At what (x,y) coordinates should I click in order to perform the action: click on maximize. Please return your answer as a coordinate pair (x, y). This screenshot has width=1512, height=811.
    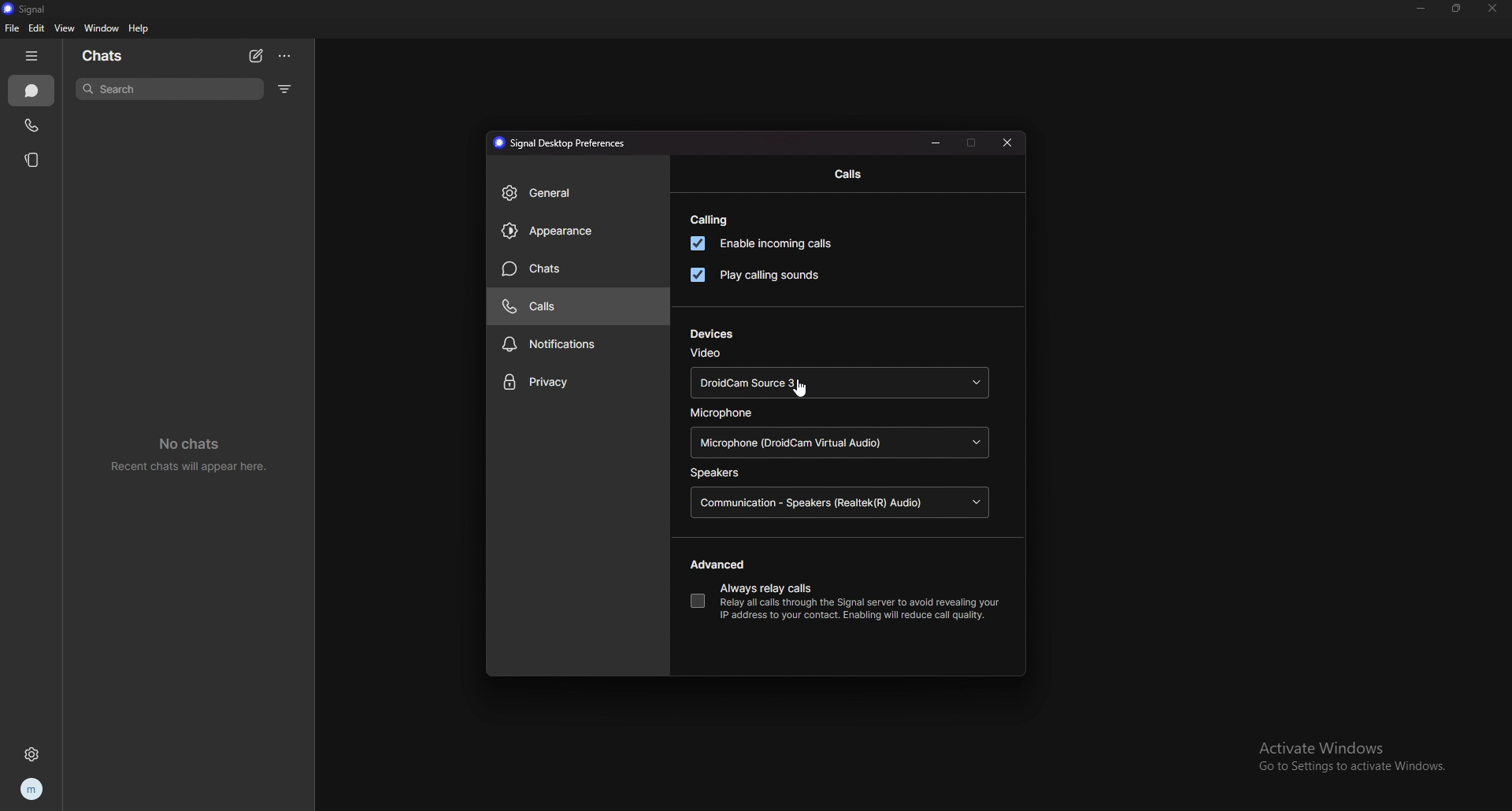
    Looking at the image, I should click on (972, 142).